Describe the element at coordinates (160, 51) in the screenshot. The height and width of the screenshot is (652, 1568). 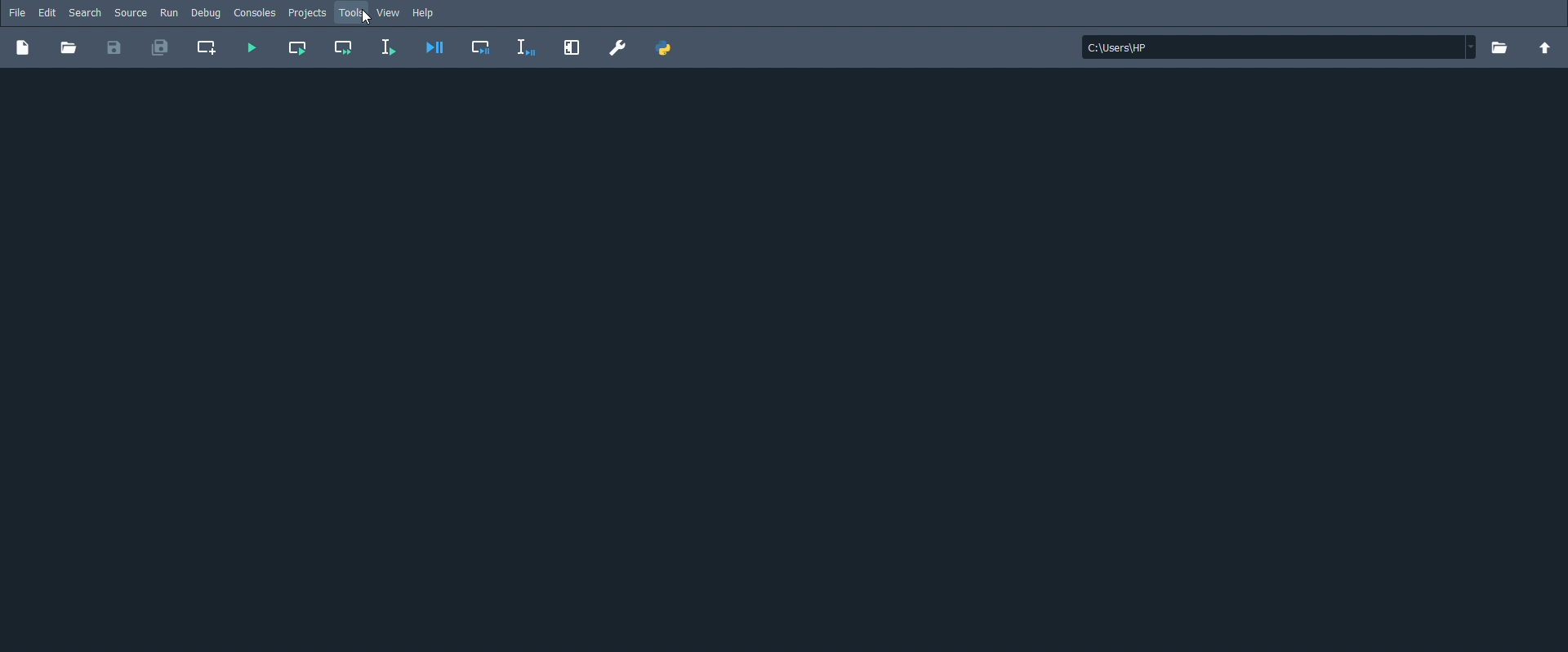
I see `Save all files` at that location.